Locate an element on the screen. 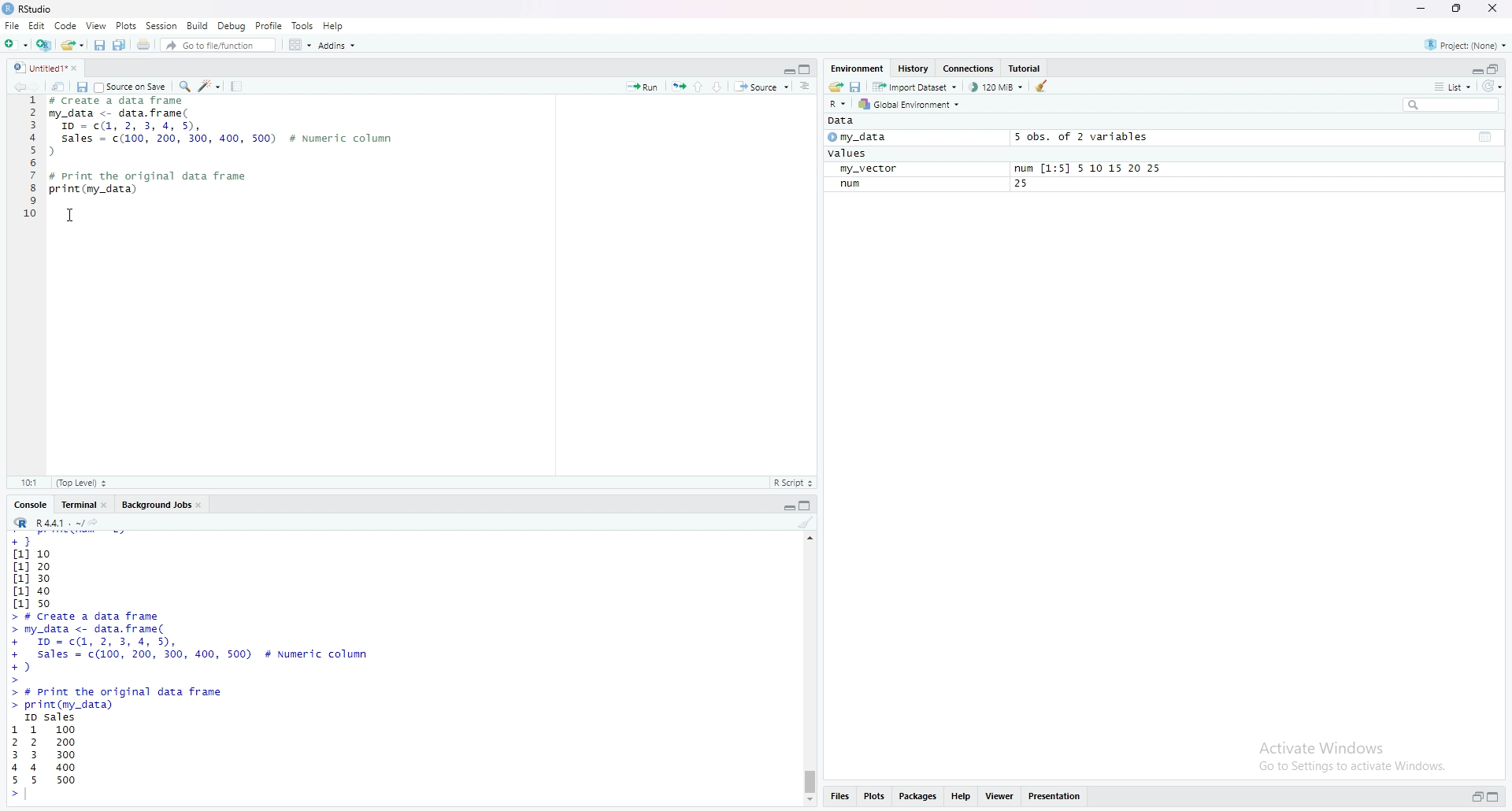  print the current file is located at coordinates (145, 46).